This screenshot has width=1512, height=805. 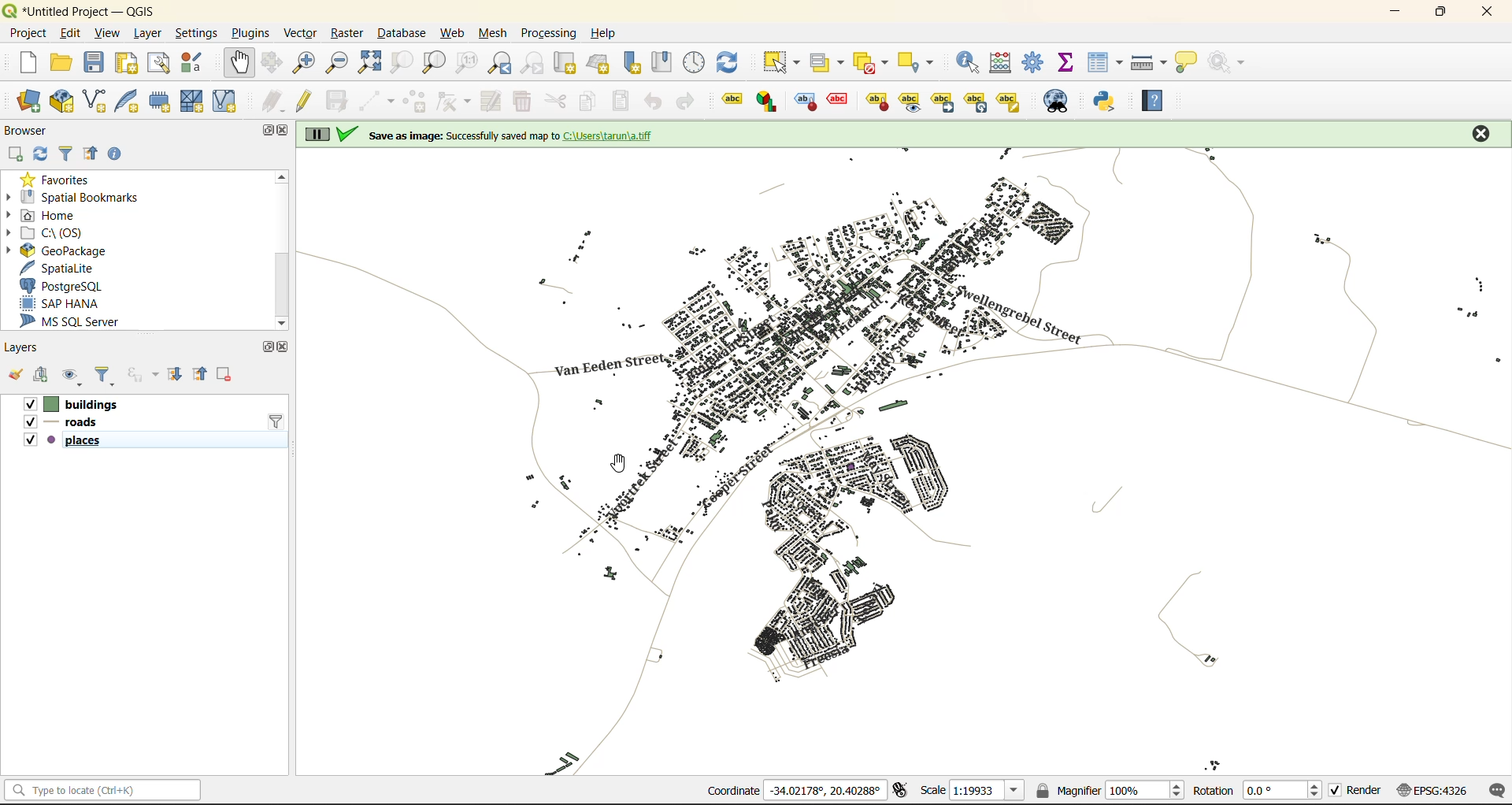 I want to click on zoom native, so click(x=467, y=63).